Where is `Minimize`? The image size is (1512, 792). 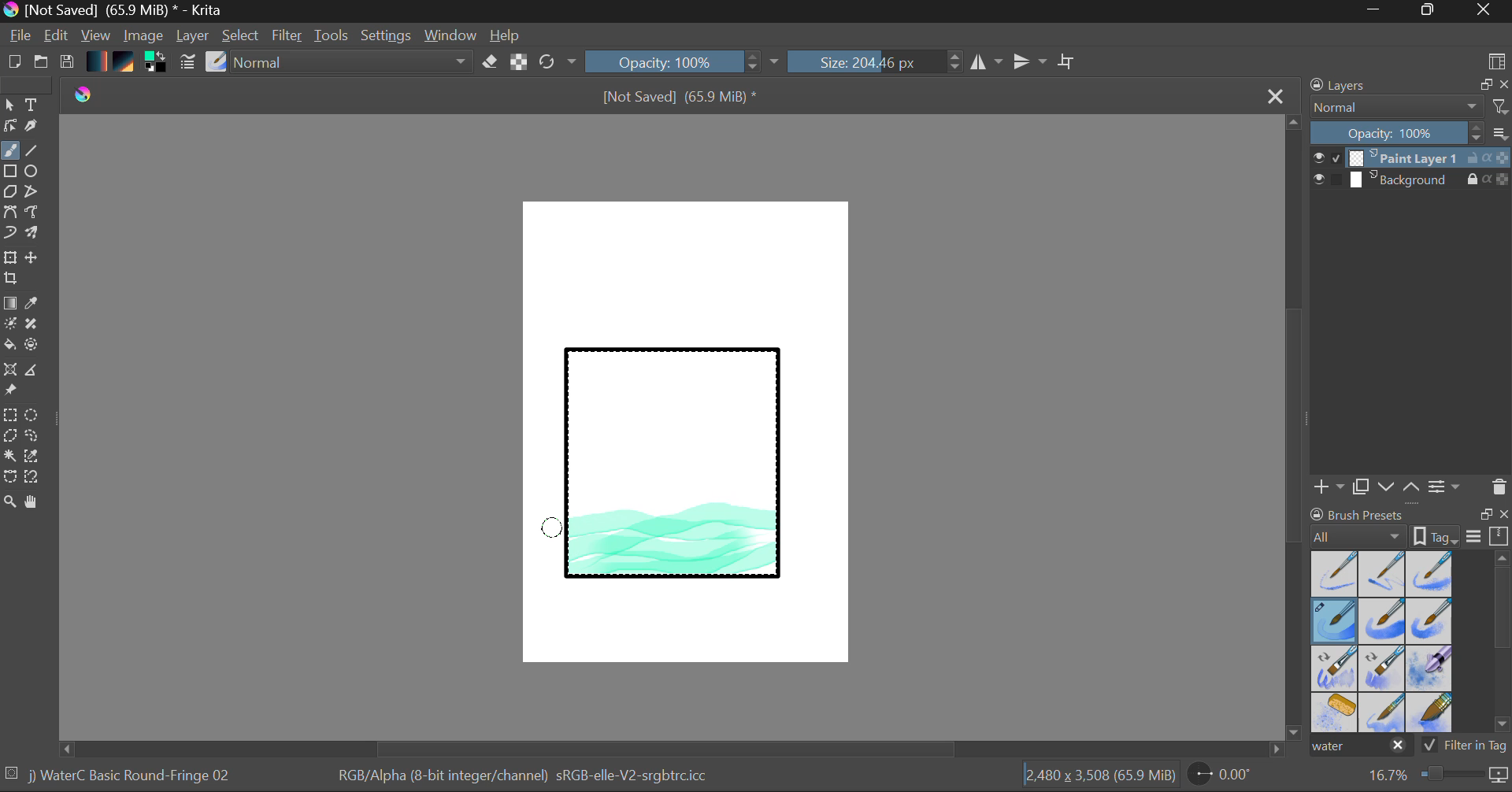
Minimize is located at coordinates (1431, 11).